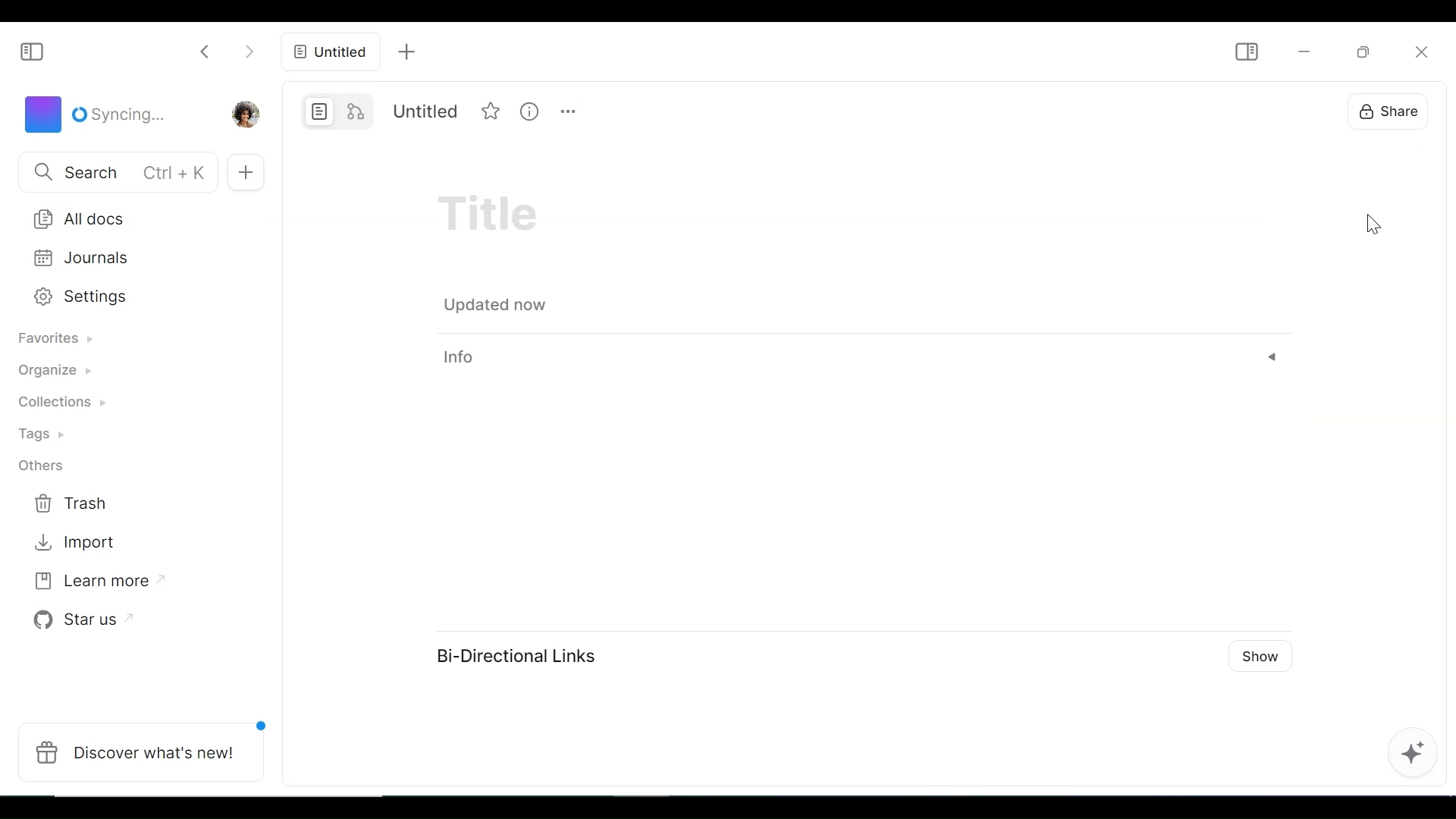 This screenshot has height=819, width=1456. What do you see at coordinates (40, 465) in the screenshot?
I see `Others` at bounding box center [40, 465].